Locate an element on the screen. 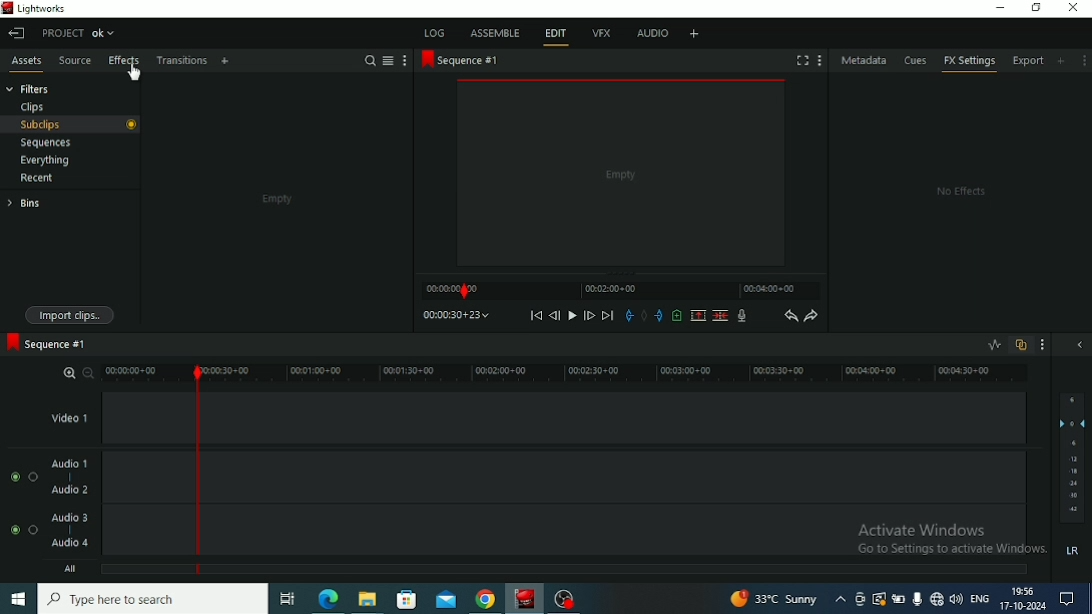 Image resolution: width=1092 pixels, height=614 pixels. sequence #1 is located at coordinates (49, 345).